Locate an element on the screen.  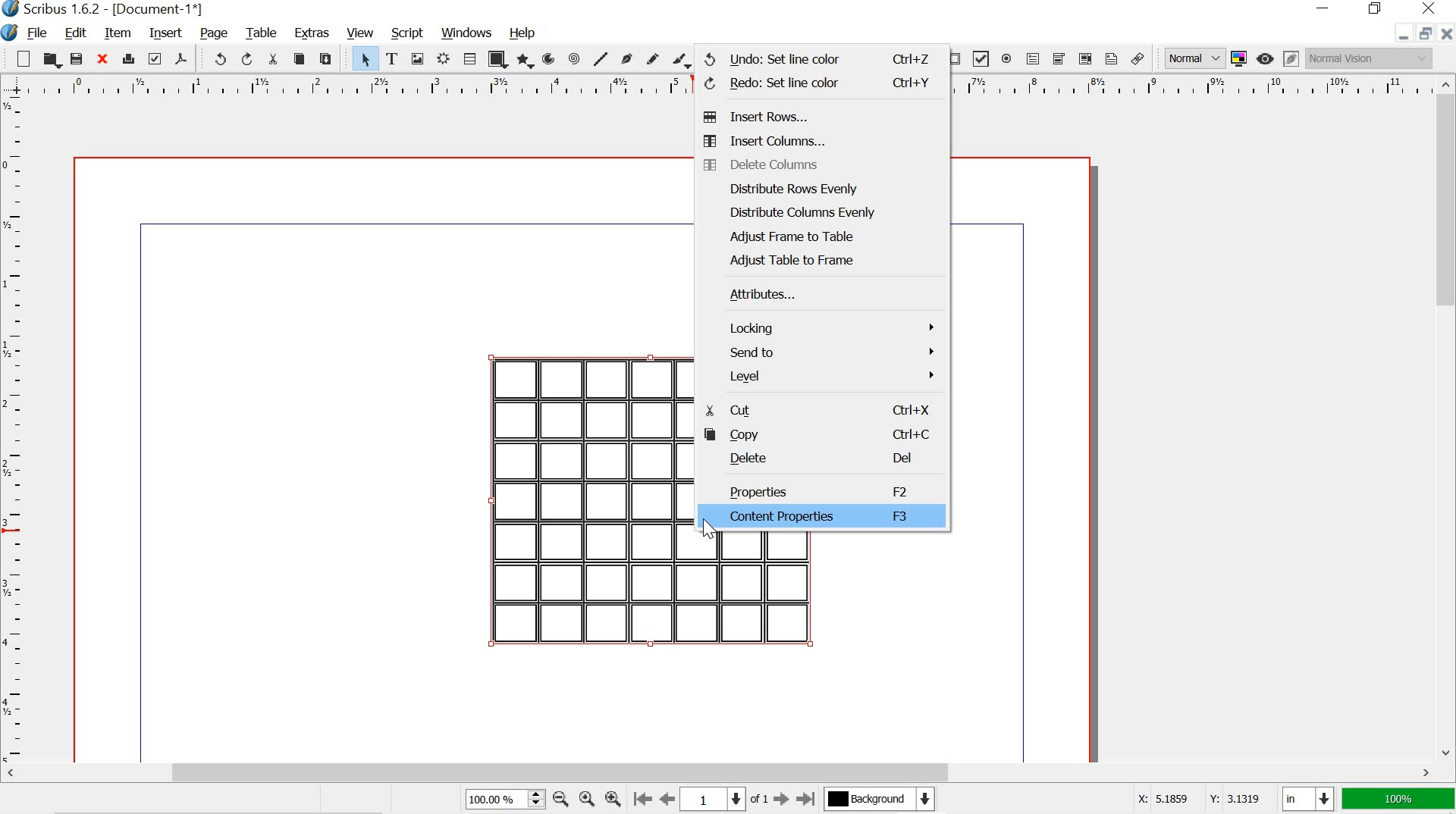
extras is located at coordinates (309, 35).